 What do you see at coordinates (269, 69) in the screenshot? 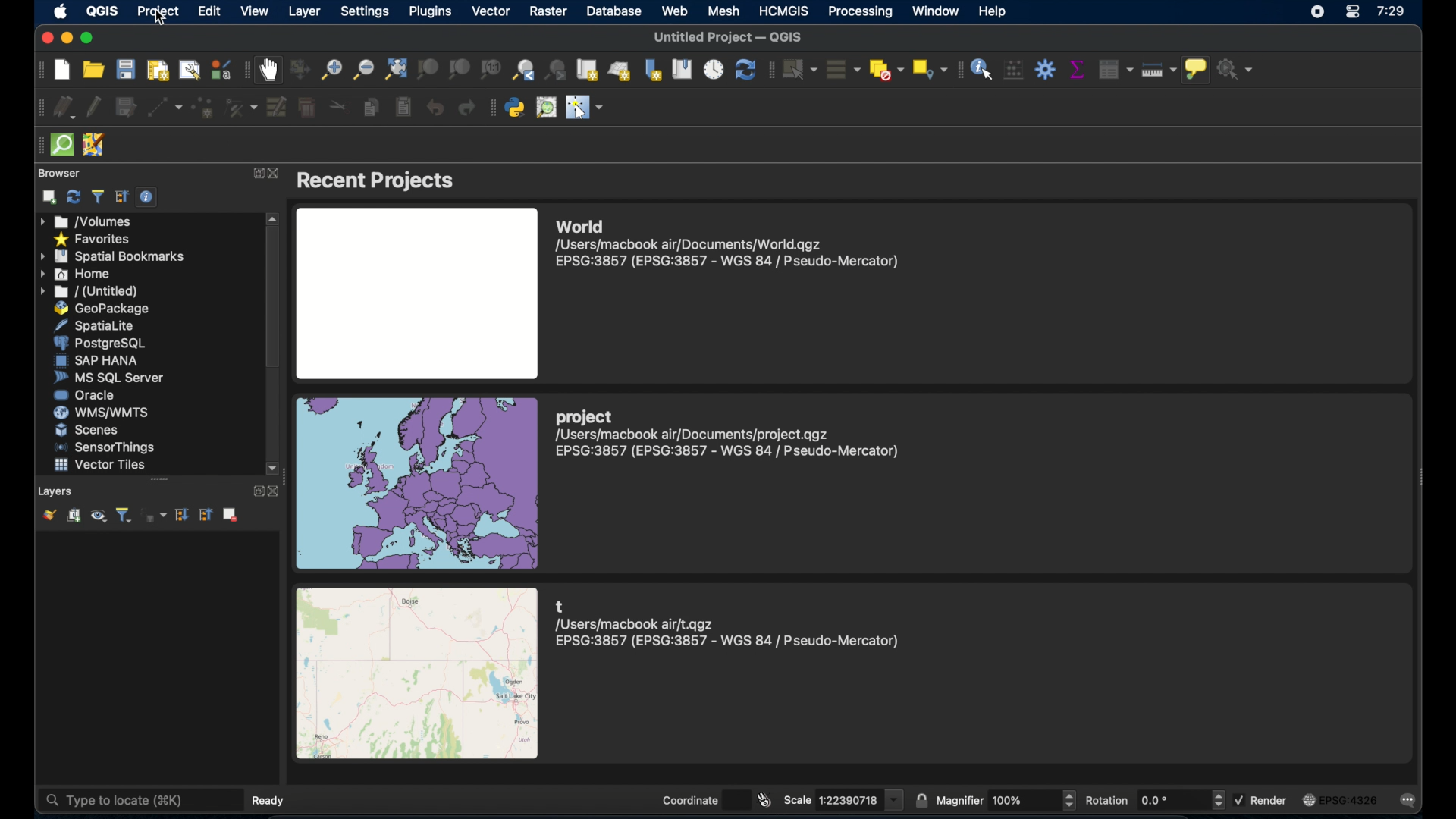
I see `pan map` at bounding box center [269, 69].